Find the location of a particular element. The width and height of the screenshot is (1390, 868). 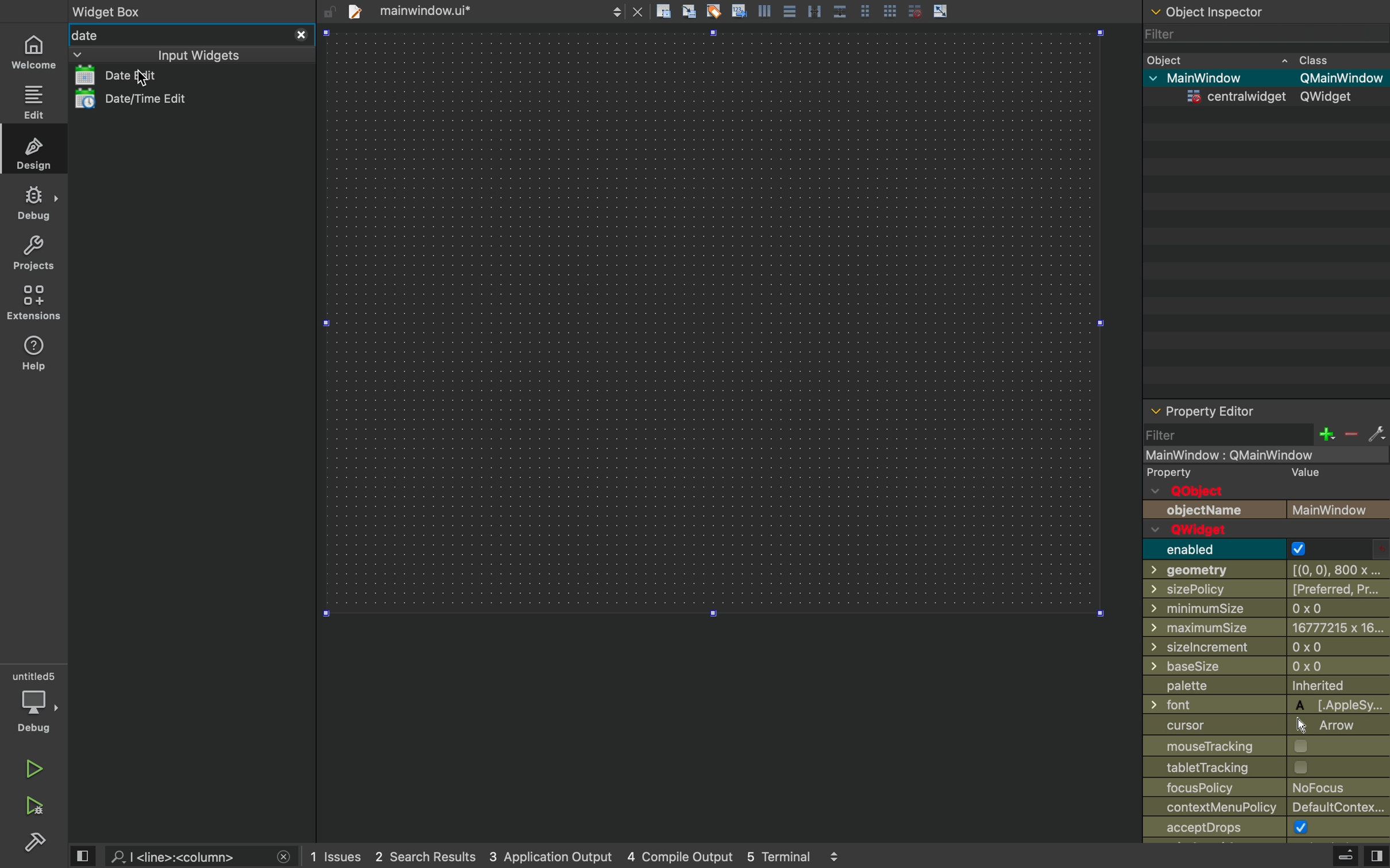

geometry is located at coordinates (1268, 571).